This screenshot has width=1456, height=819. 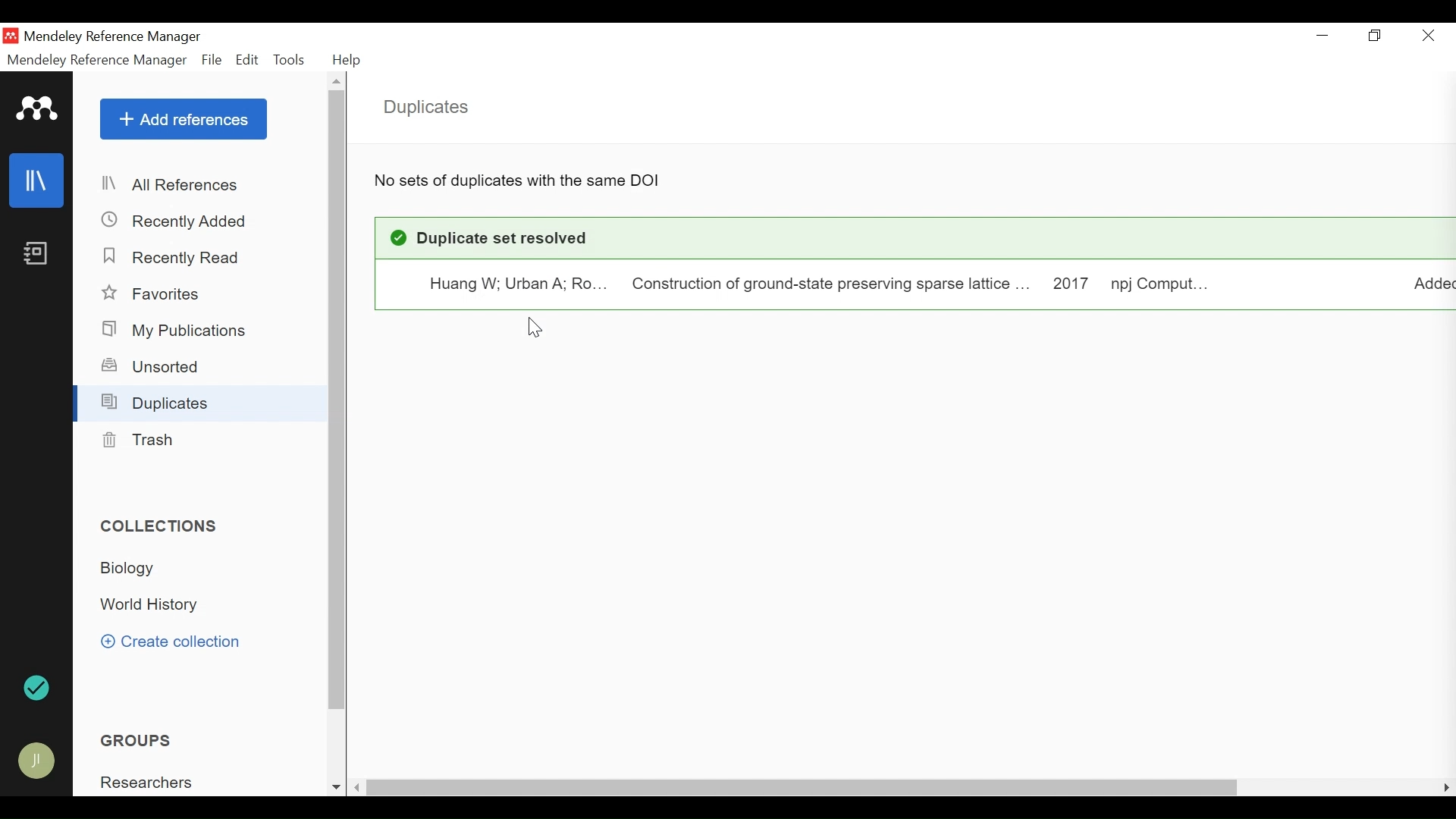 What do you see at coordinates (135, 439) in the screenshot?
I see `Trash` at bounding box center [135, 439].